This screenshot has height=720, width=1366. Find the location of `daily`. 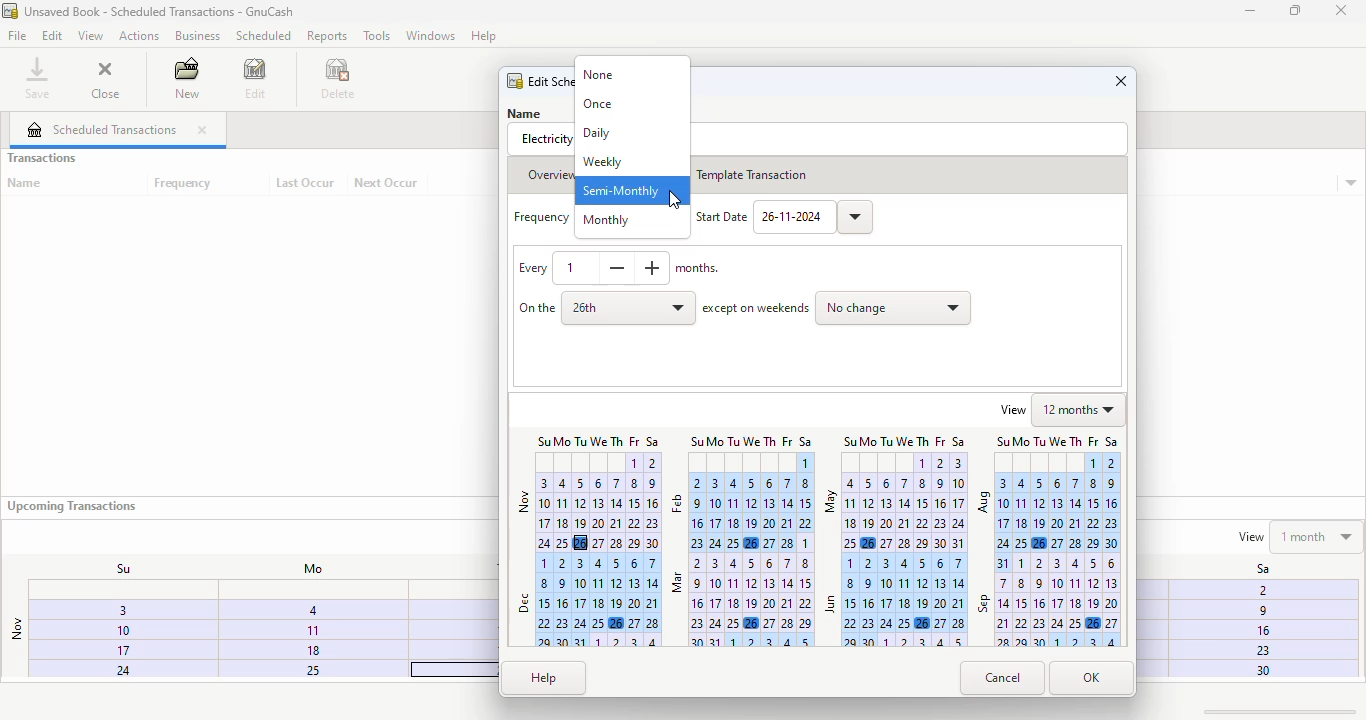

daily is located at coordinates (597, 133).